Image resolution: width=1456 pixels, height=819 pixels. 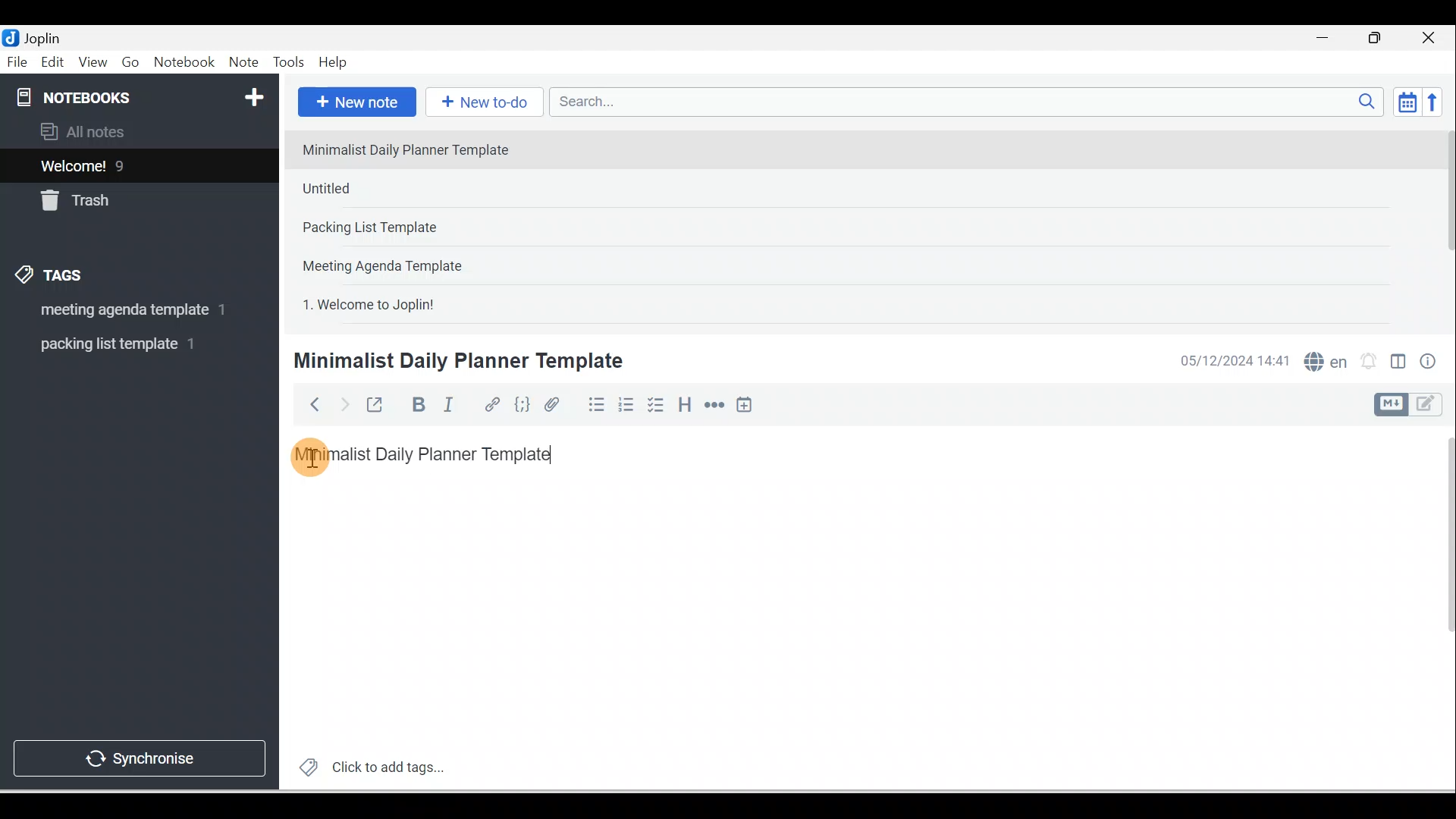 What do you see at coordinates (451, 407) in the screenshot?
I see `Italic` at bounding box center [451, 407].